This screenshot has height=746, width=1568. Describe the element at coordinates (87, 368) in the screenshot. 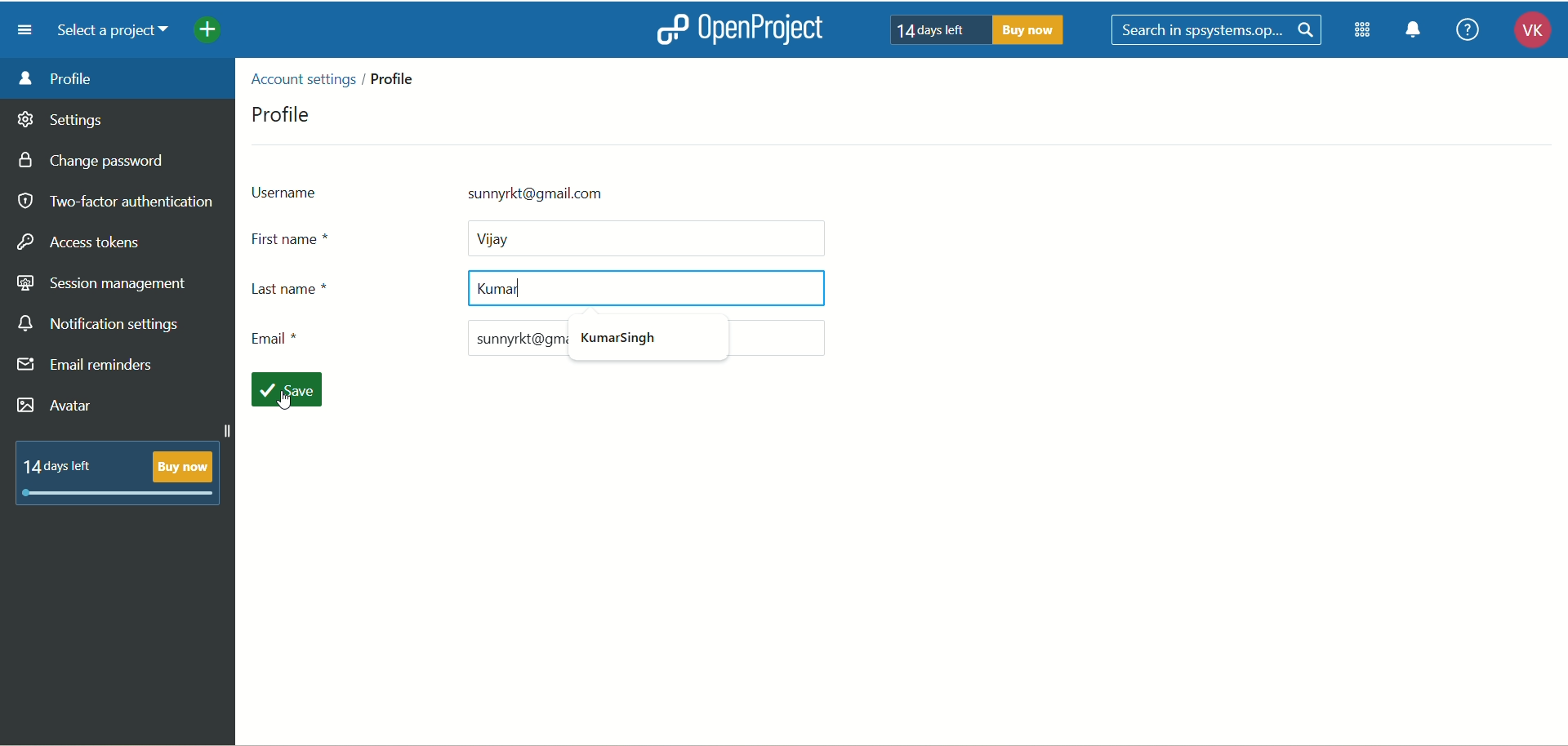

I see `email reminders` at that location.